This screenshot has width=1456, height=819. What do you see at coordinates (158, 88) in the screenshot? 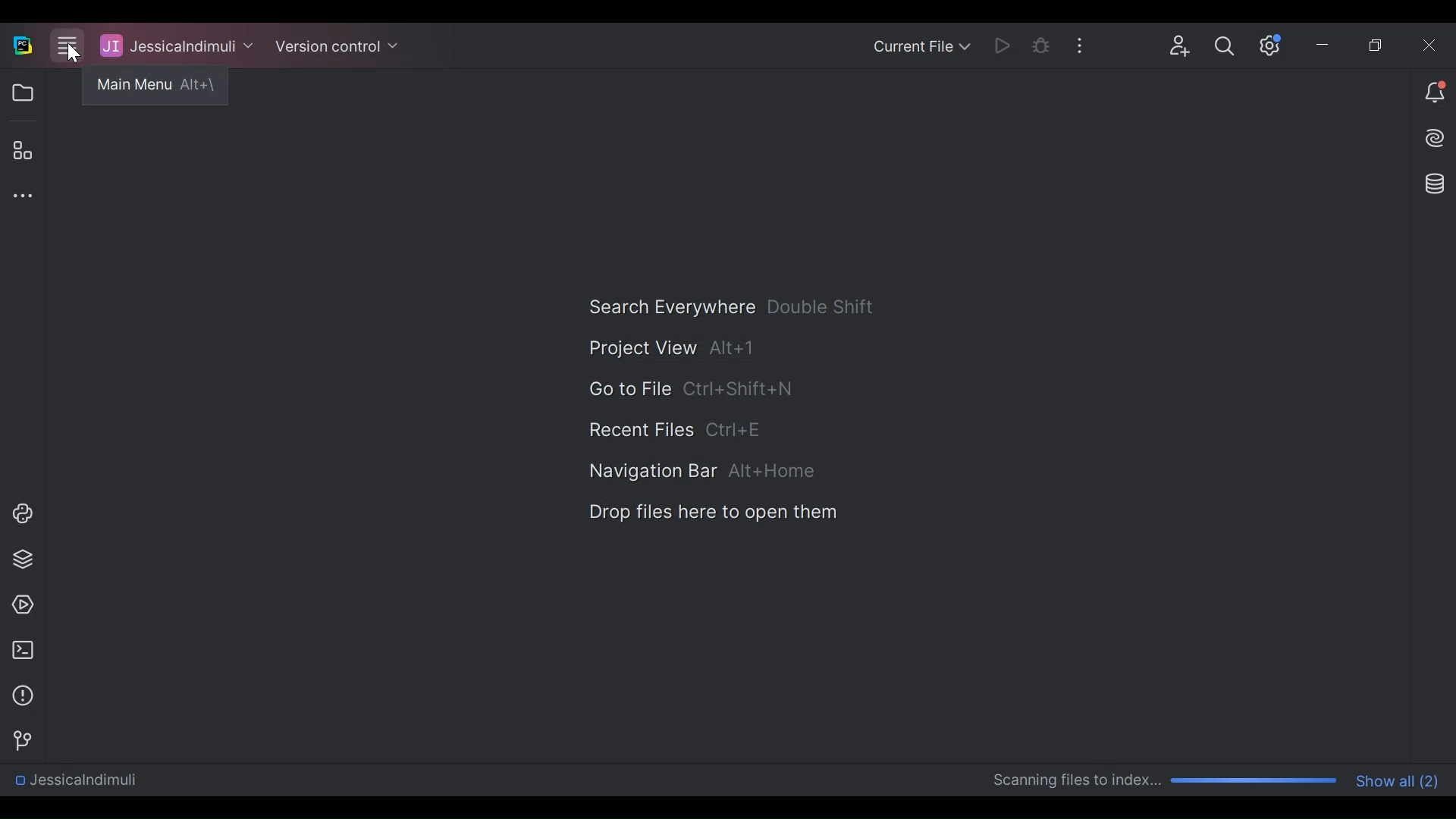
I see `Main menu Tooltip` at bounding box center [158, 88].